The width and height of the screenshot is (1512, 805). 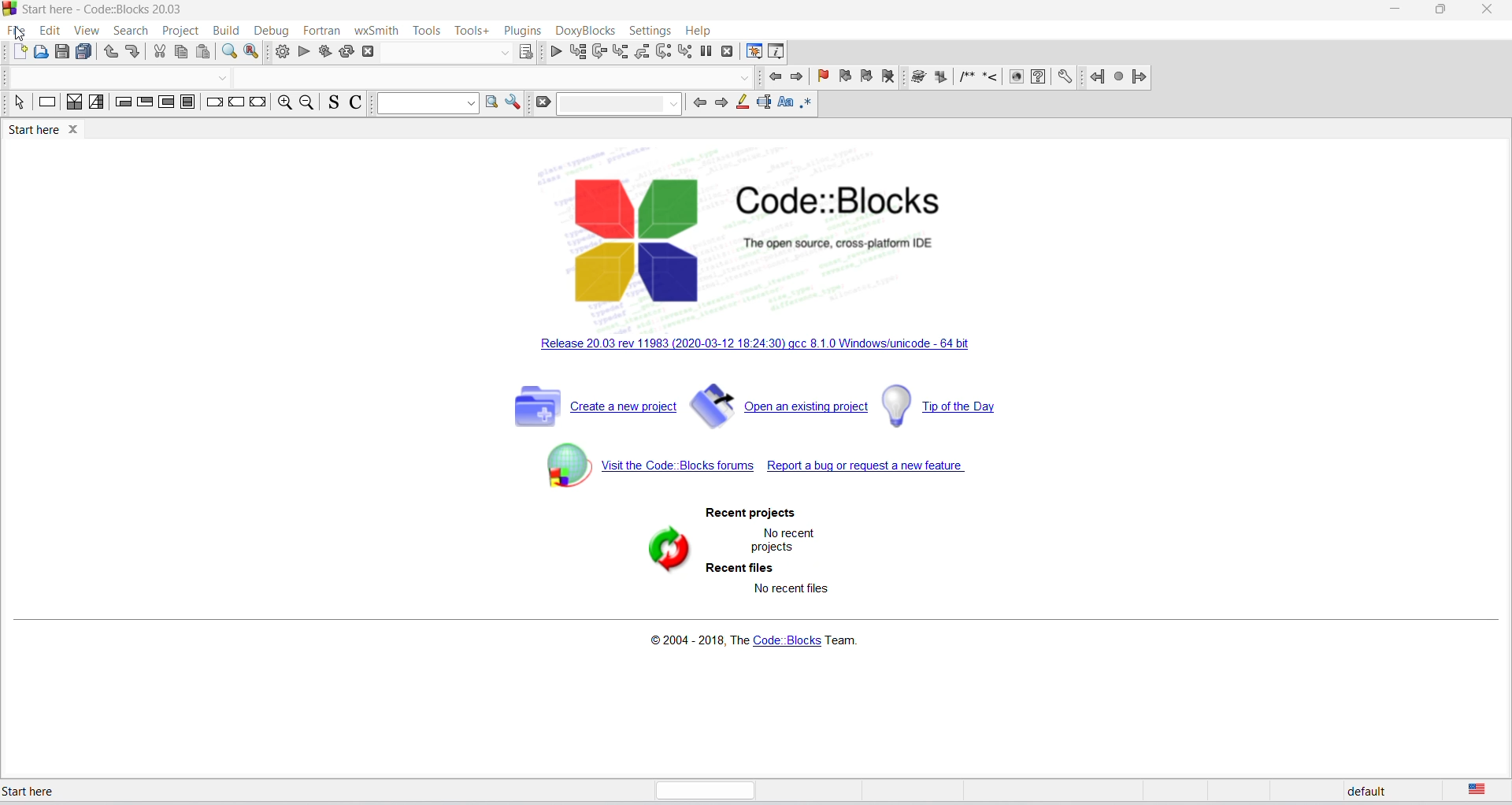 I want to click on various info, so click(x=778, y=52).